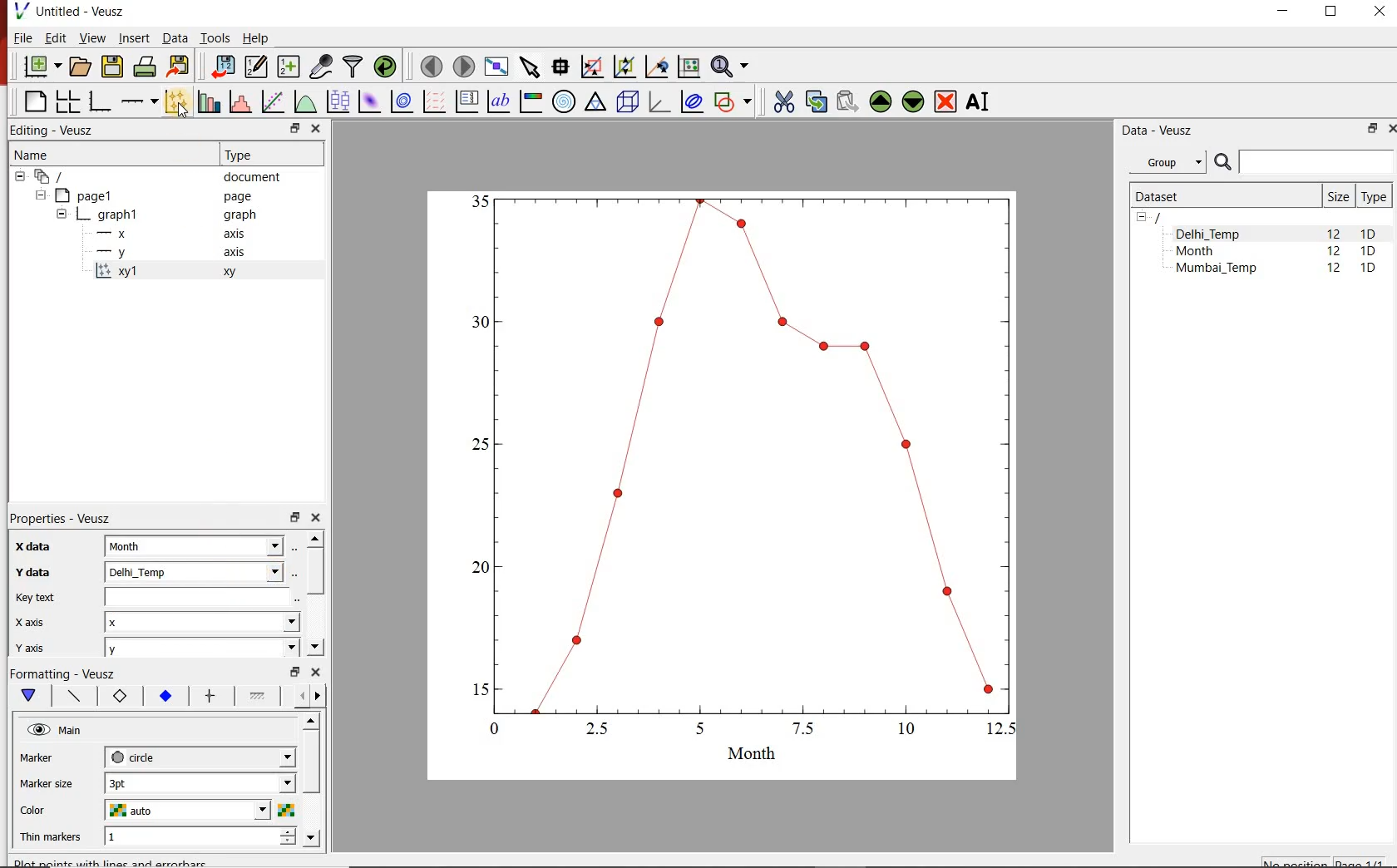 The height and width of the screenshot is (868, 1397). Describe the element at coordinates (1368, 252) in the screenshot. I see `1D` at that location.